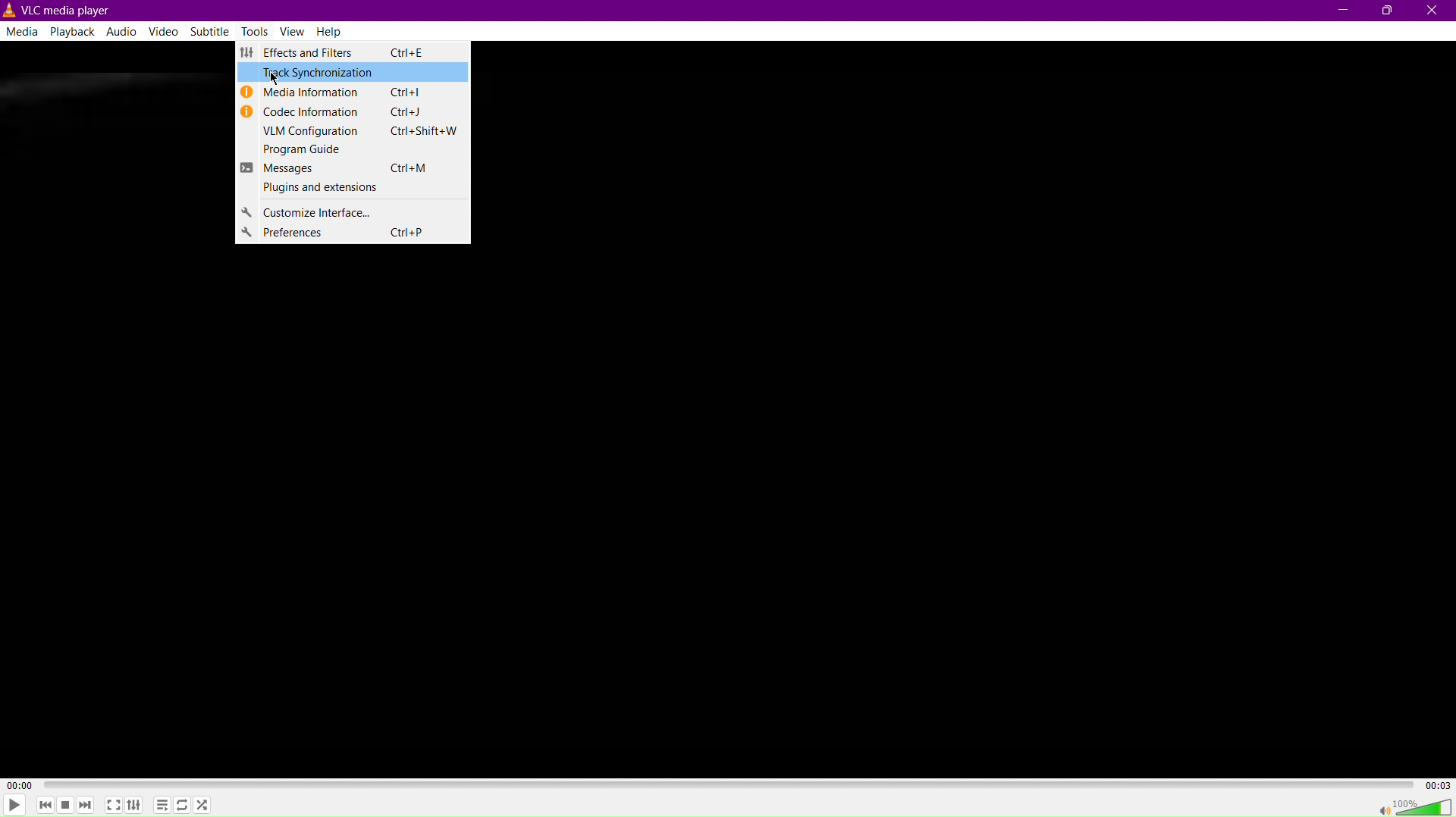  What do you see at coordinates (350, 152) in the screenshot?
I see `Program Guide` at bounding box center [350, 152].